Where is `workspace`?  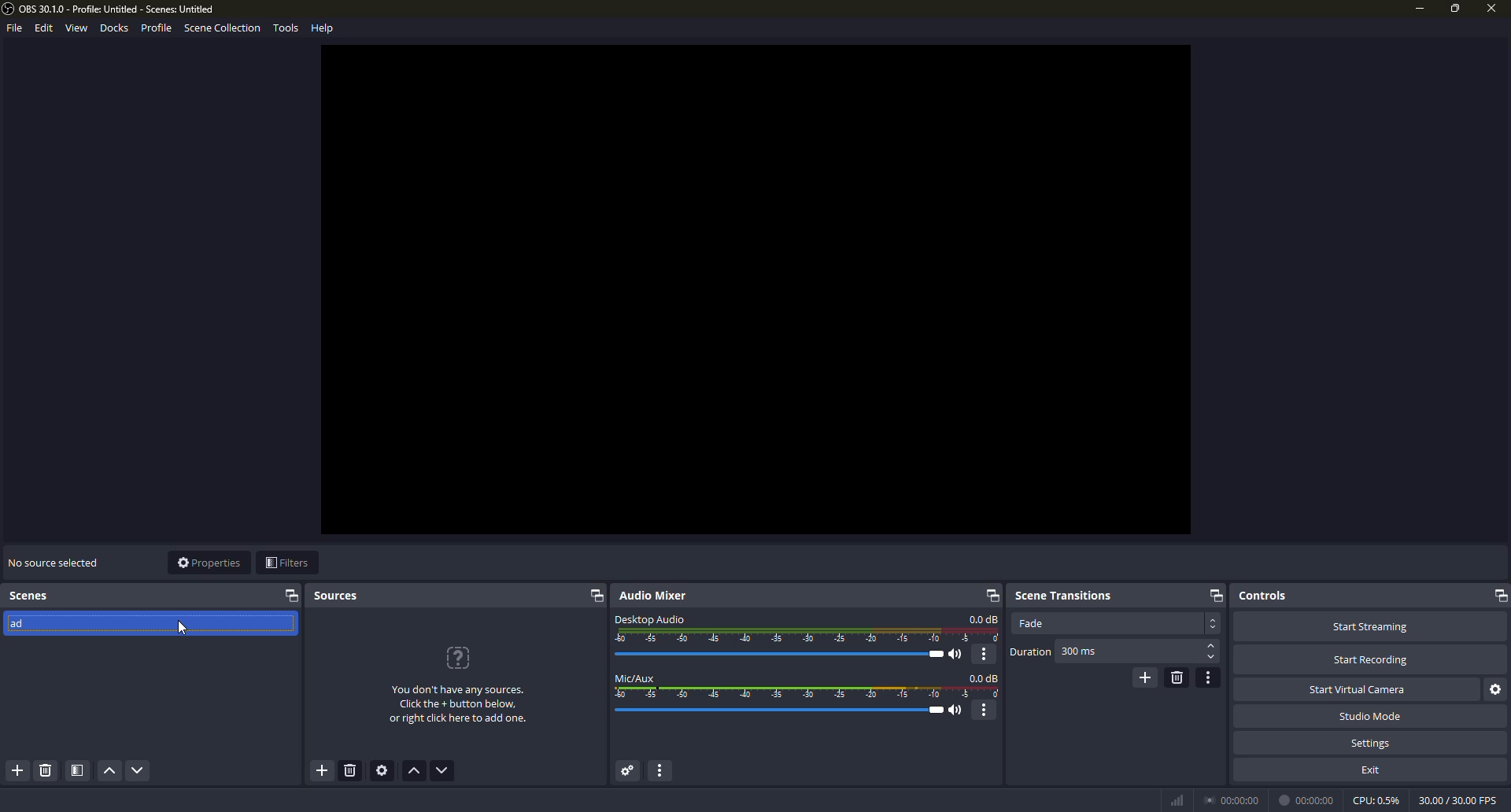
workspace is located at coordinates (756, 290).